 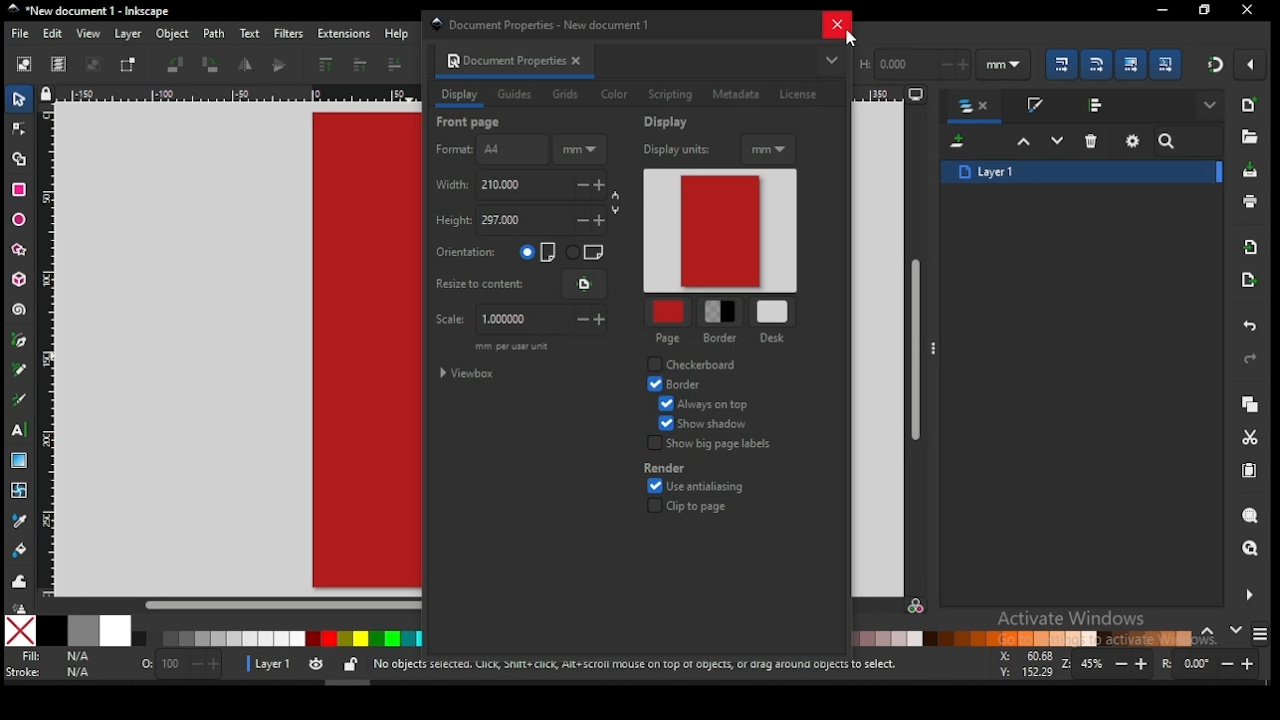 I want to click on border, so click(x=721, y=339).